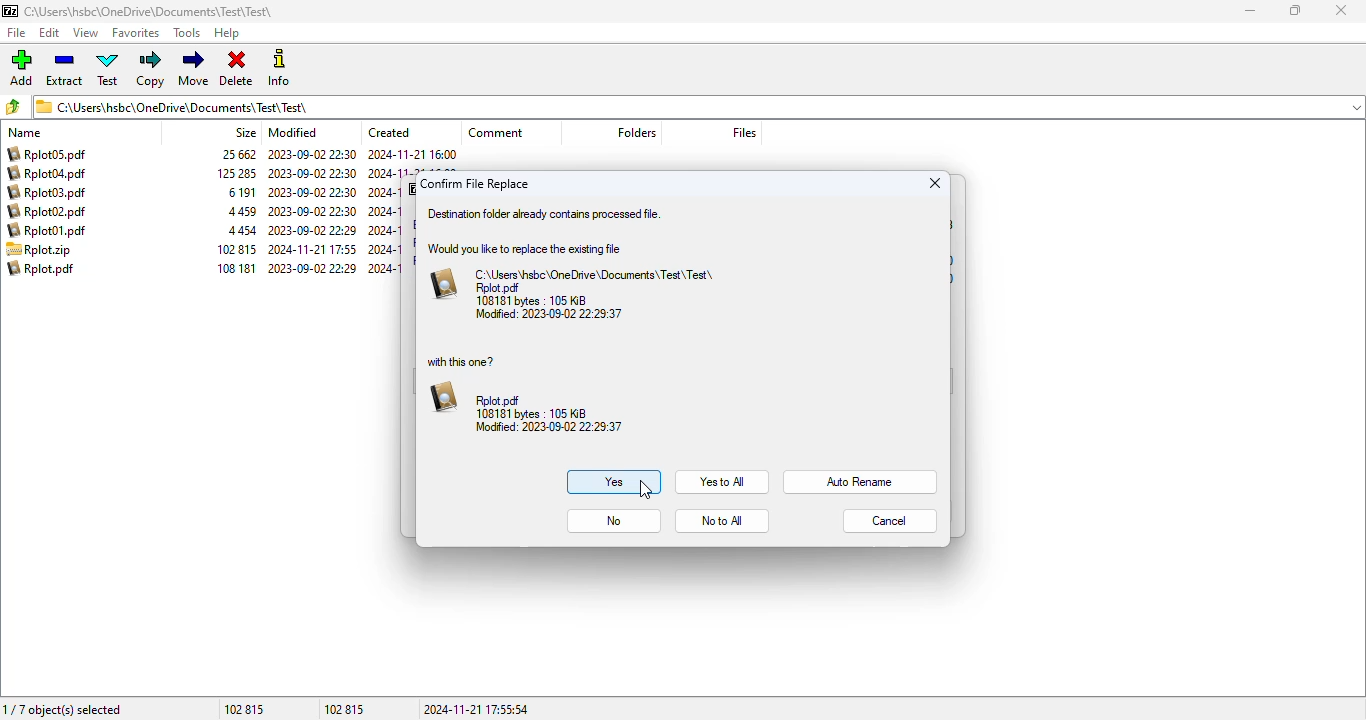  What do you see at coordinates (862, 480) in the screenshot?
I see `Auto Rename` at bounding box center [862, 480].